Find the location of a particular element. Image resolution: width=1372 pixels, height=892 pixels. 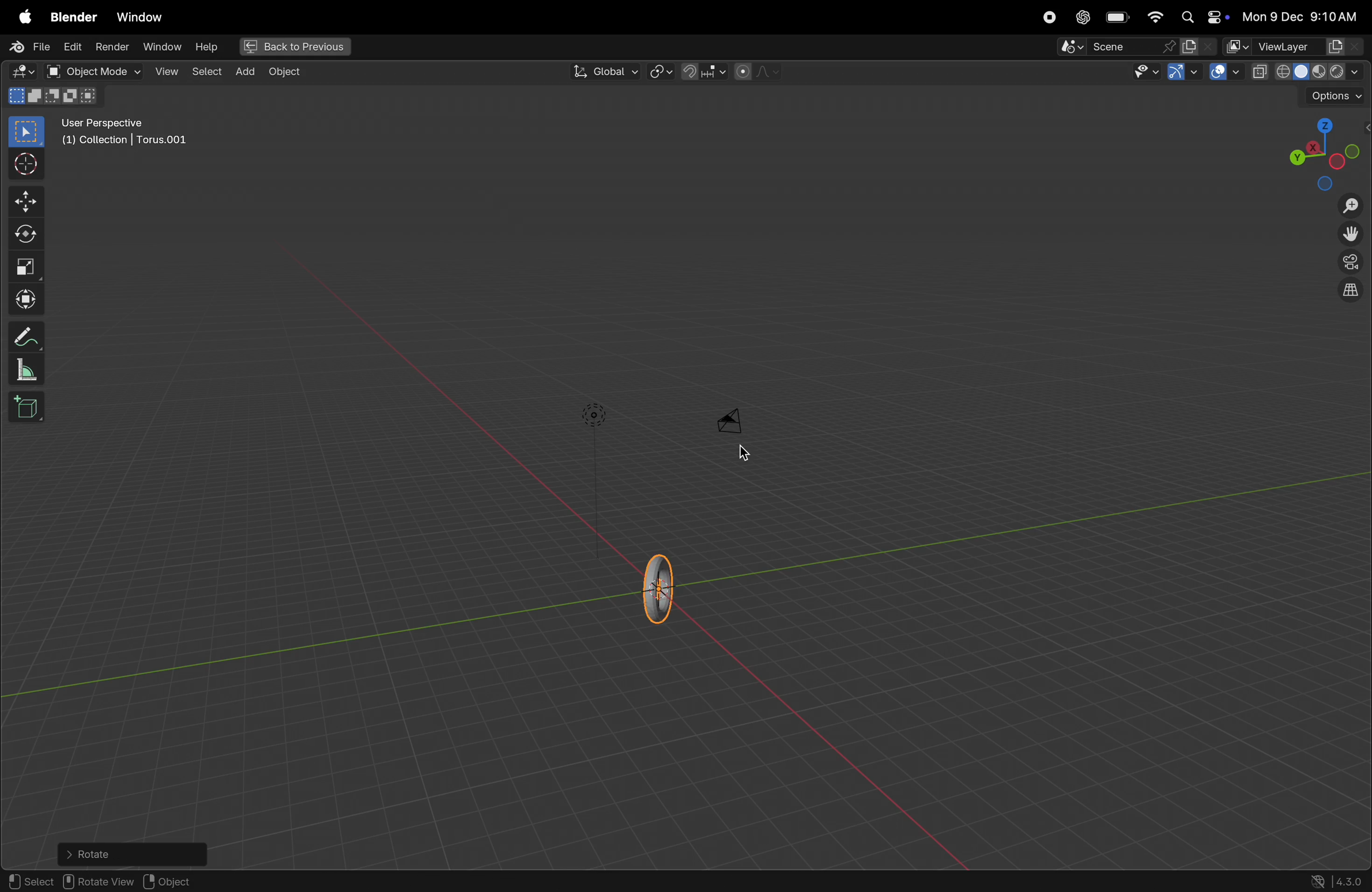

object mode is located at coordinates (93, 71).